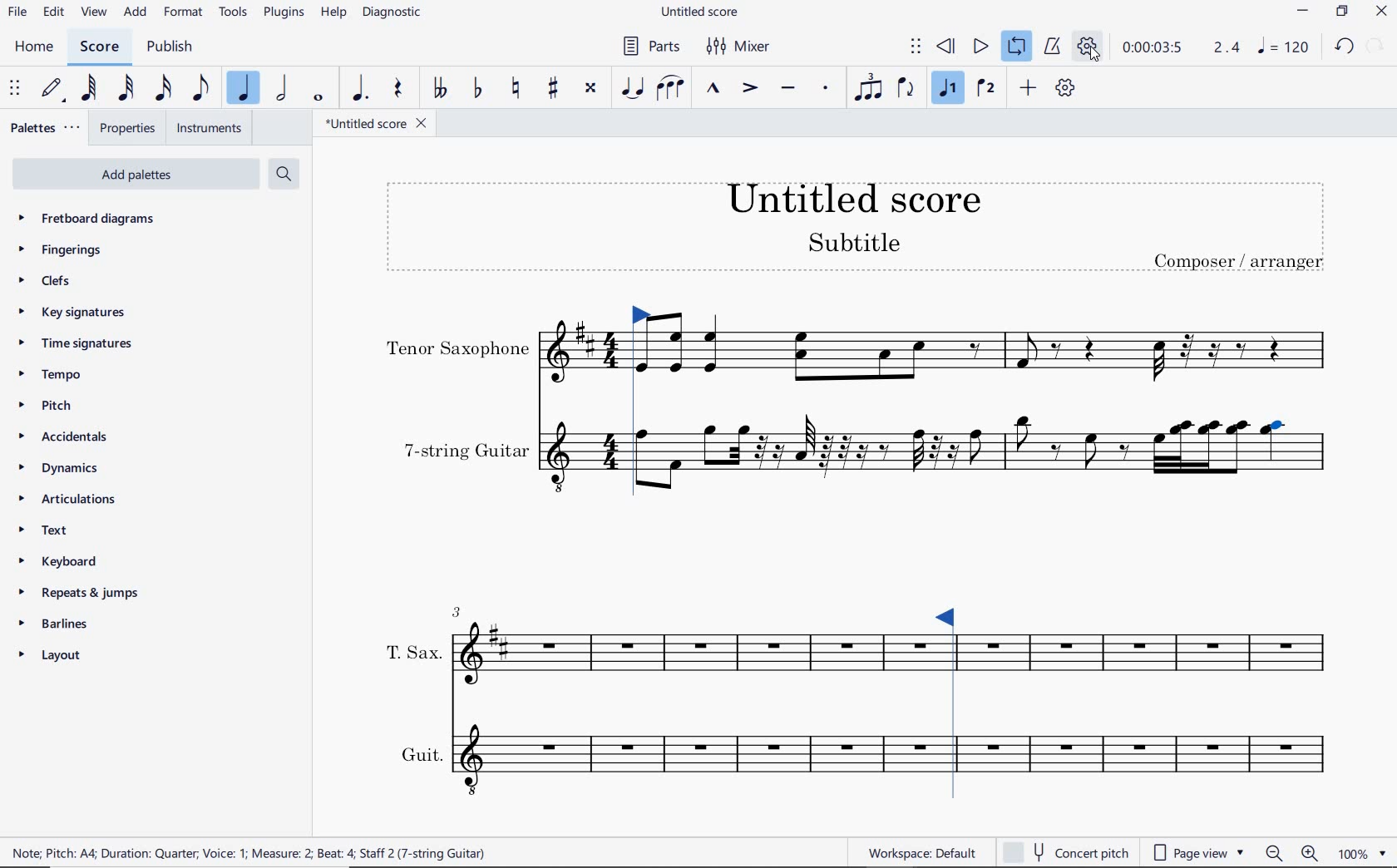  I want to click on Loop Market set right, so click(954, 701).